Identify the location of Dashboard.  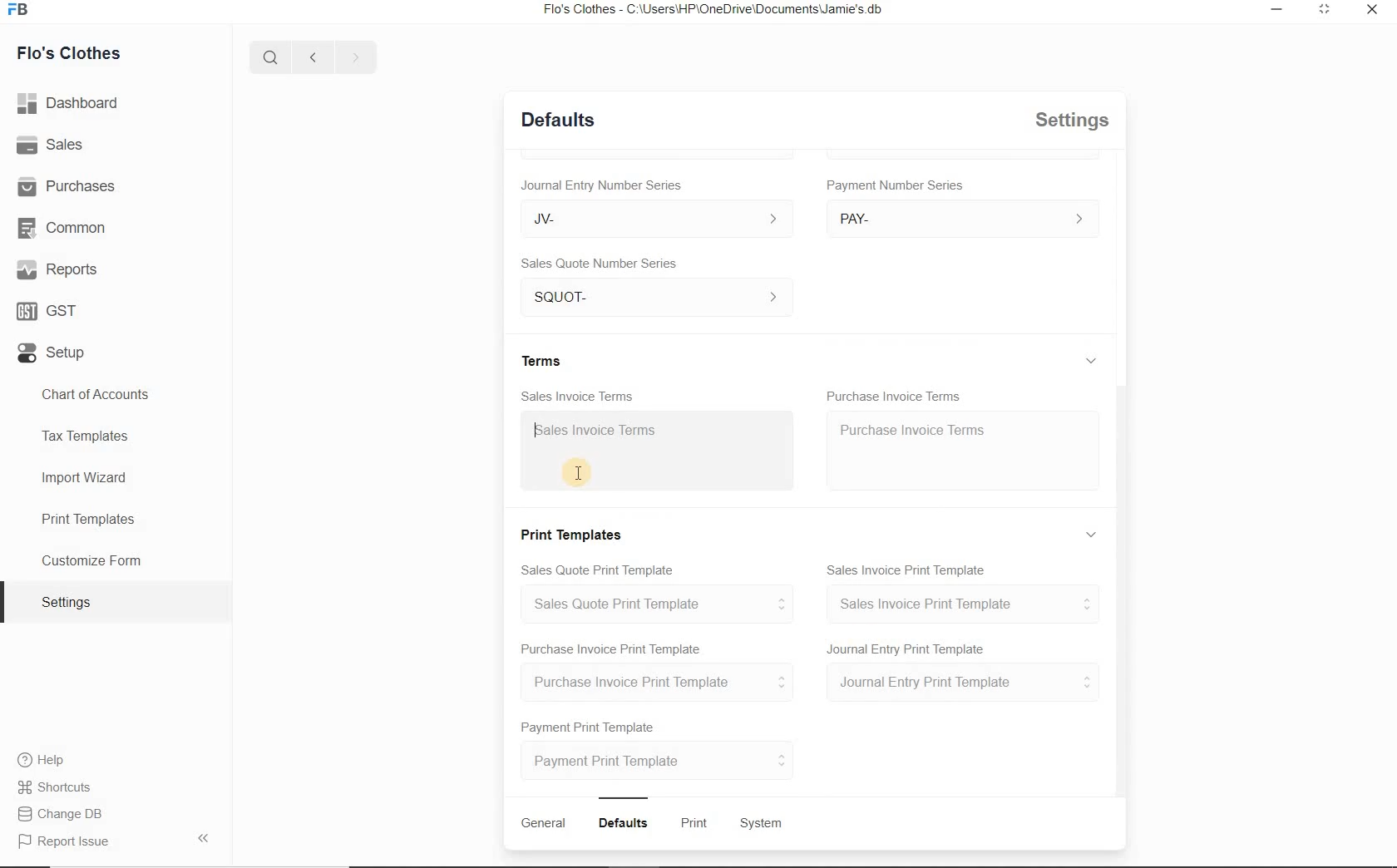
(69, 103).